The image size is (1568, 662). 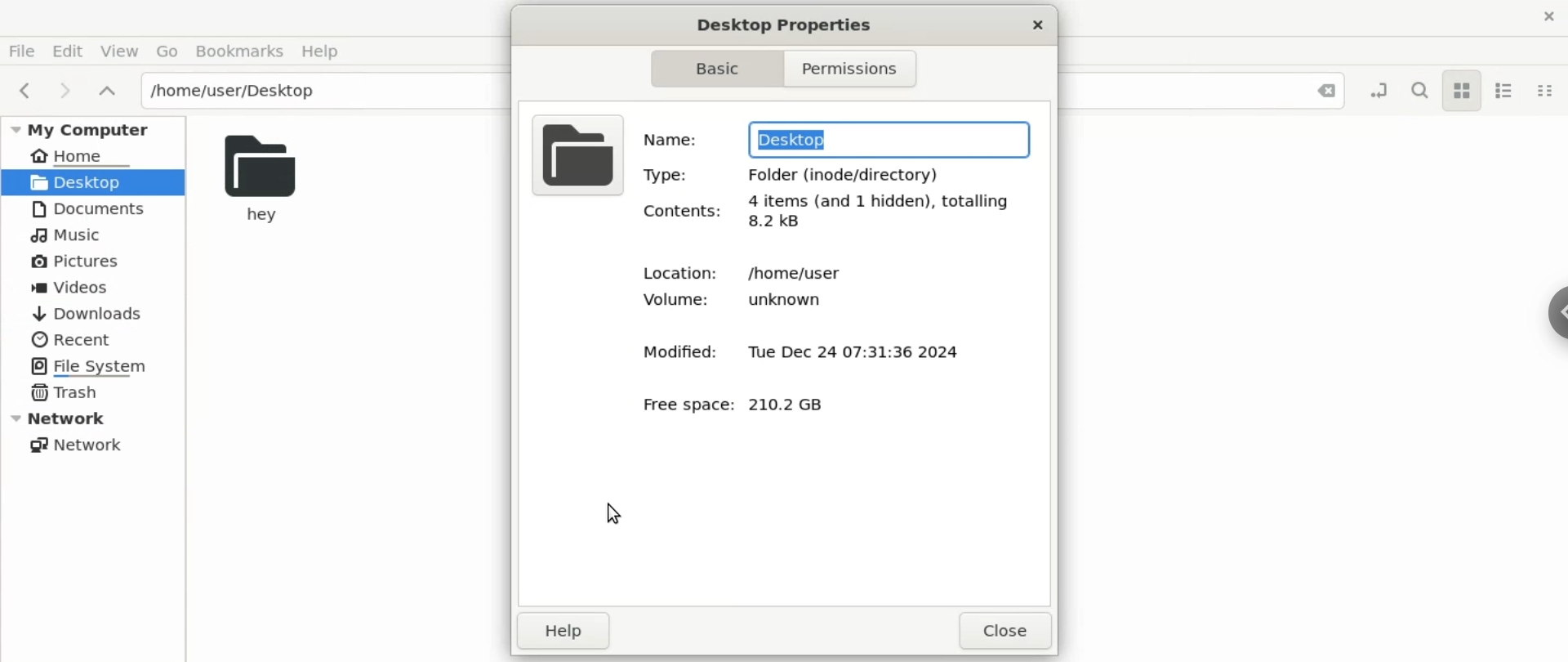 What do you see at coordinates (577, 154) in the screenshot?
I see `file/folder logo` at bounding box center [577, 154].